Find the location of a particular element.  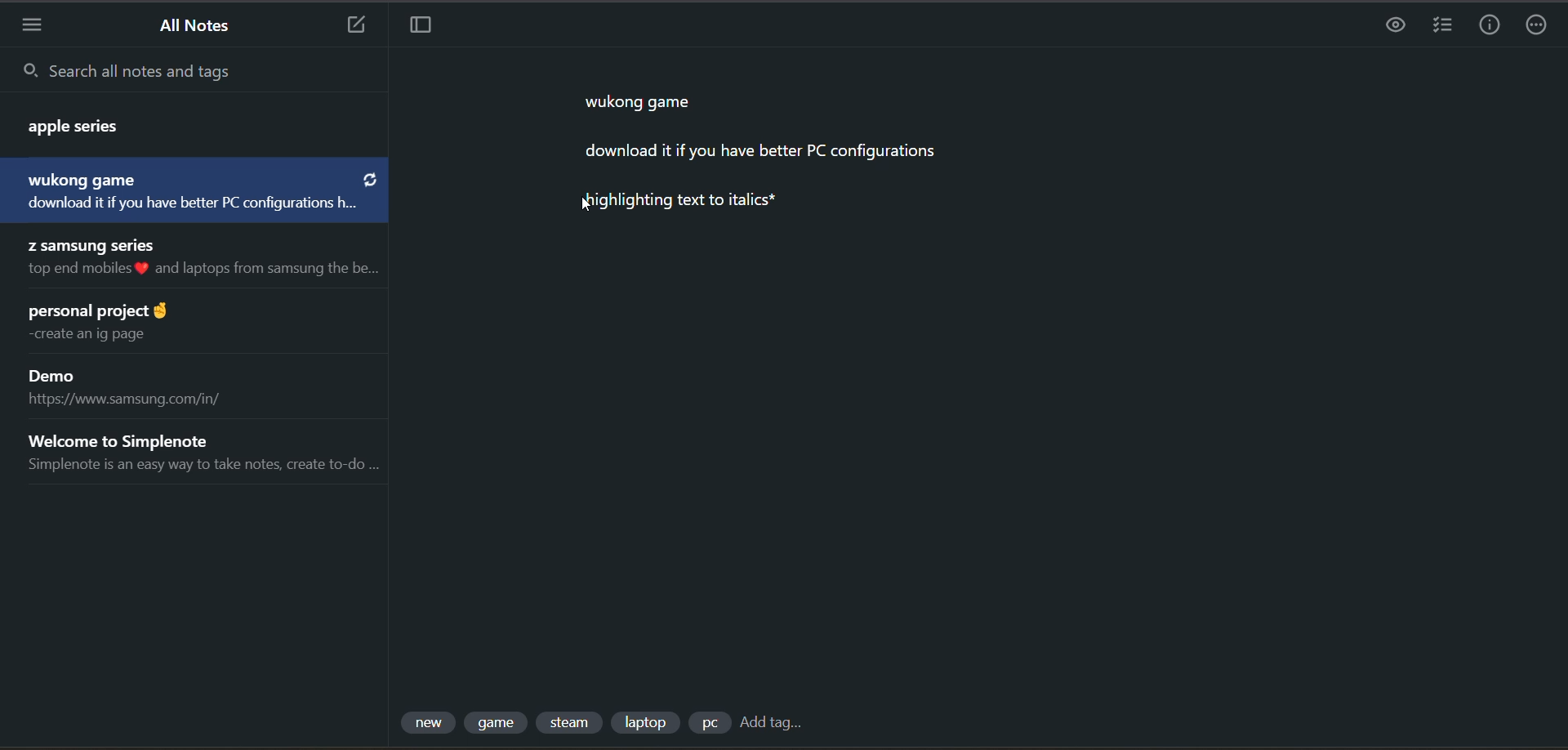

search all notes and tags is located at coordinates (198, 69).